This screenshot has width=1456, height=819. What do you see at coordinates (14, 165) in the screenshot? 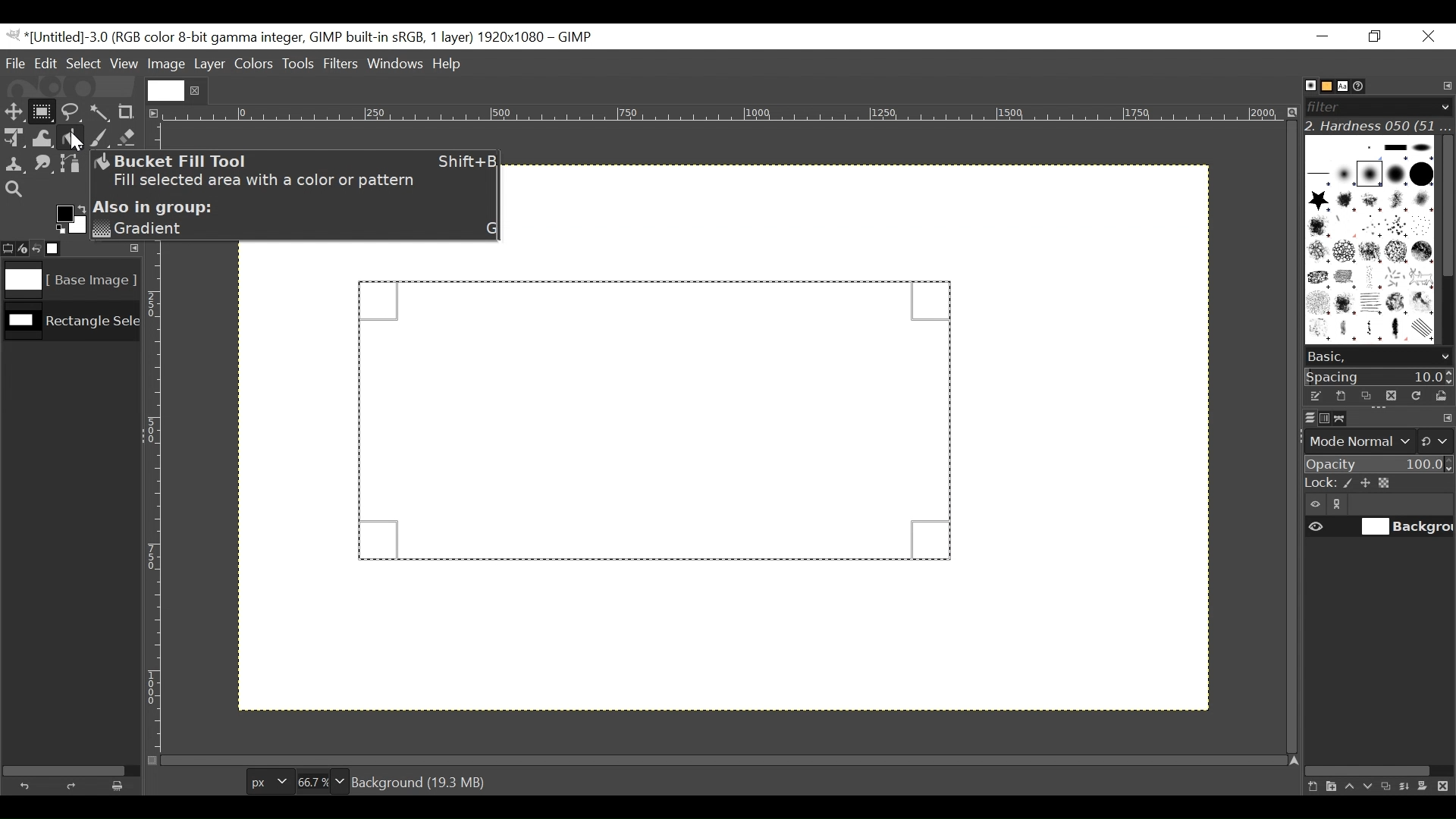
I see `Clone tool` at bounding box center [14, 165].